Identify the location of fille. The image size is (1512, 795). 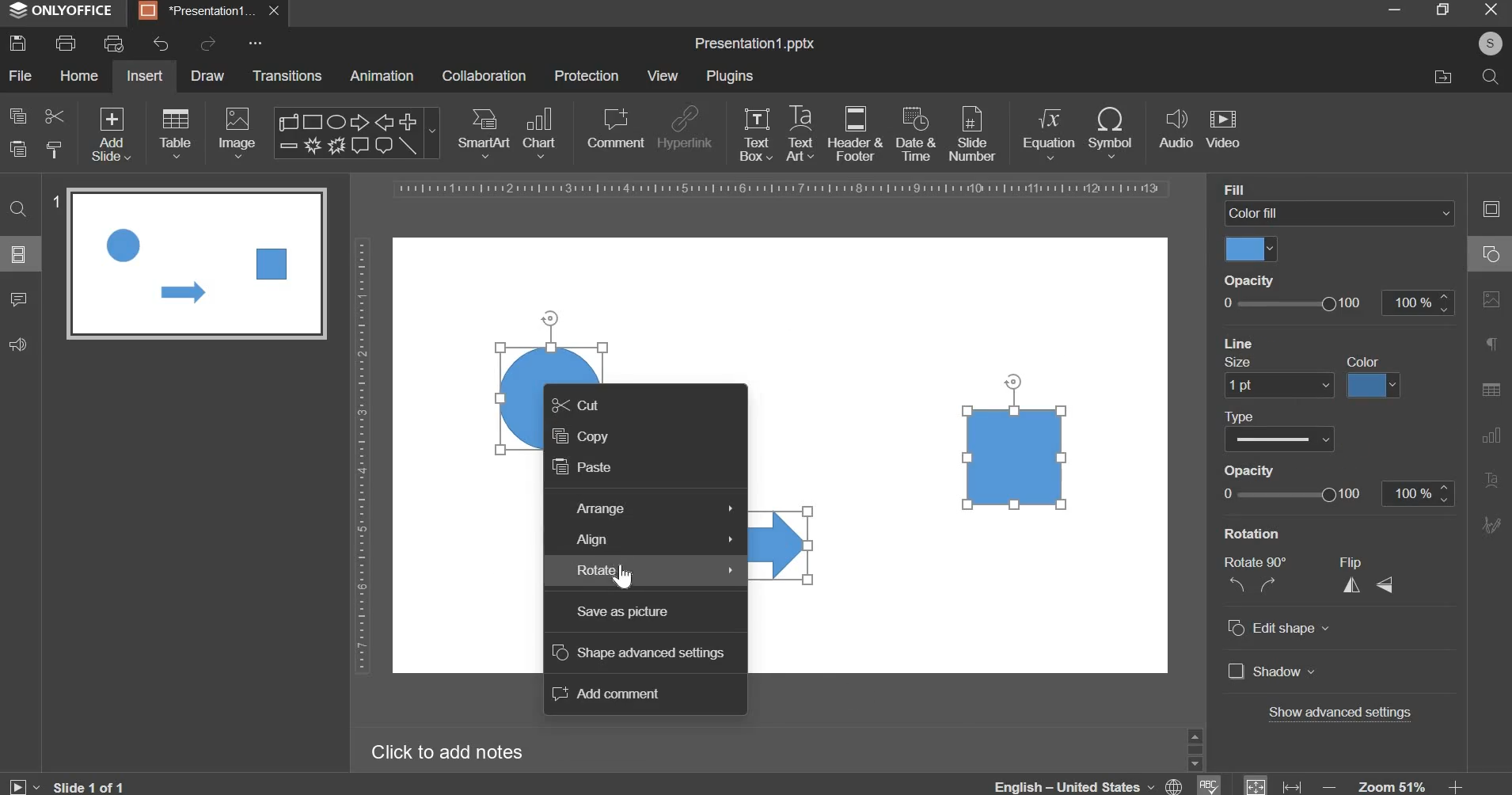
(1236, 188).